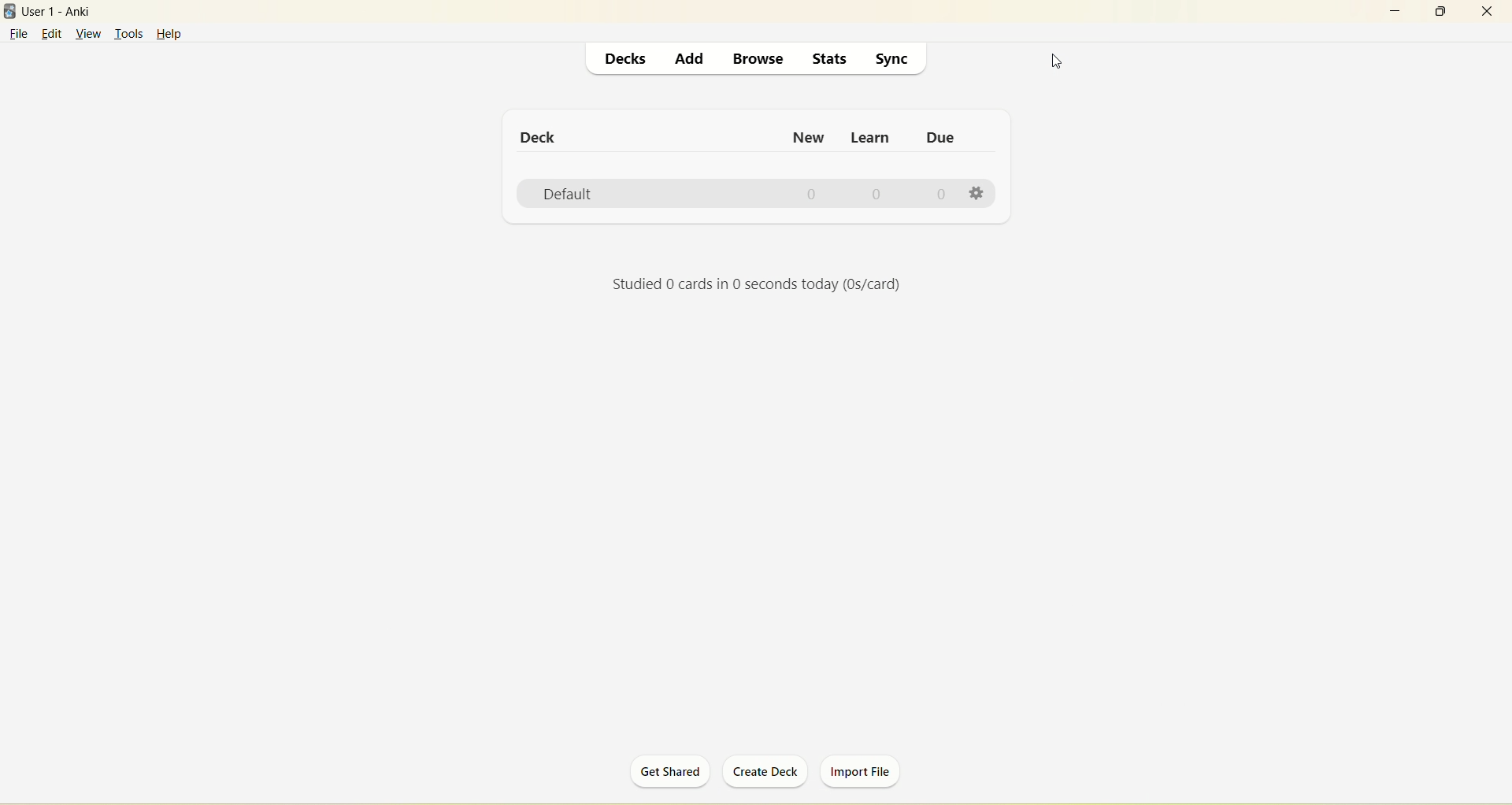 The width and height of the screenshot is (1512, 805). Describe the element at coordinates (128, 35) in the screenshot. I see `tools` at that location.